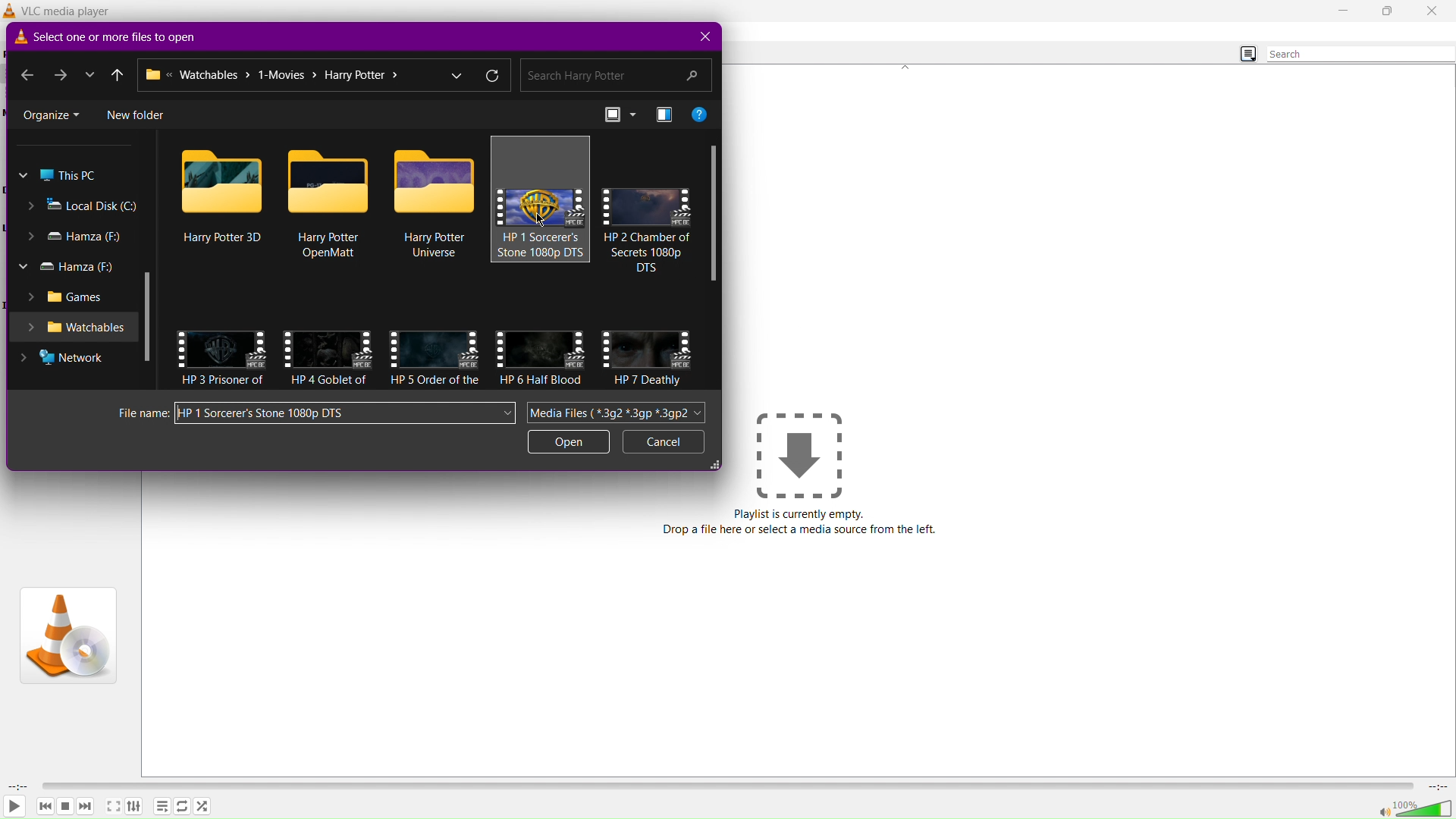 This screenshot has width=1456, height=819. Describe the element at coordinates (541, 218) in the screenshot. I see `cursor` at that location.